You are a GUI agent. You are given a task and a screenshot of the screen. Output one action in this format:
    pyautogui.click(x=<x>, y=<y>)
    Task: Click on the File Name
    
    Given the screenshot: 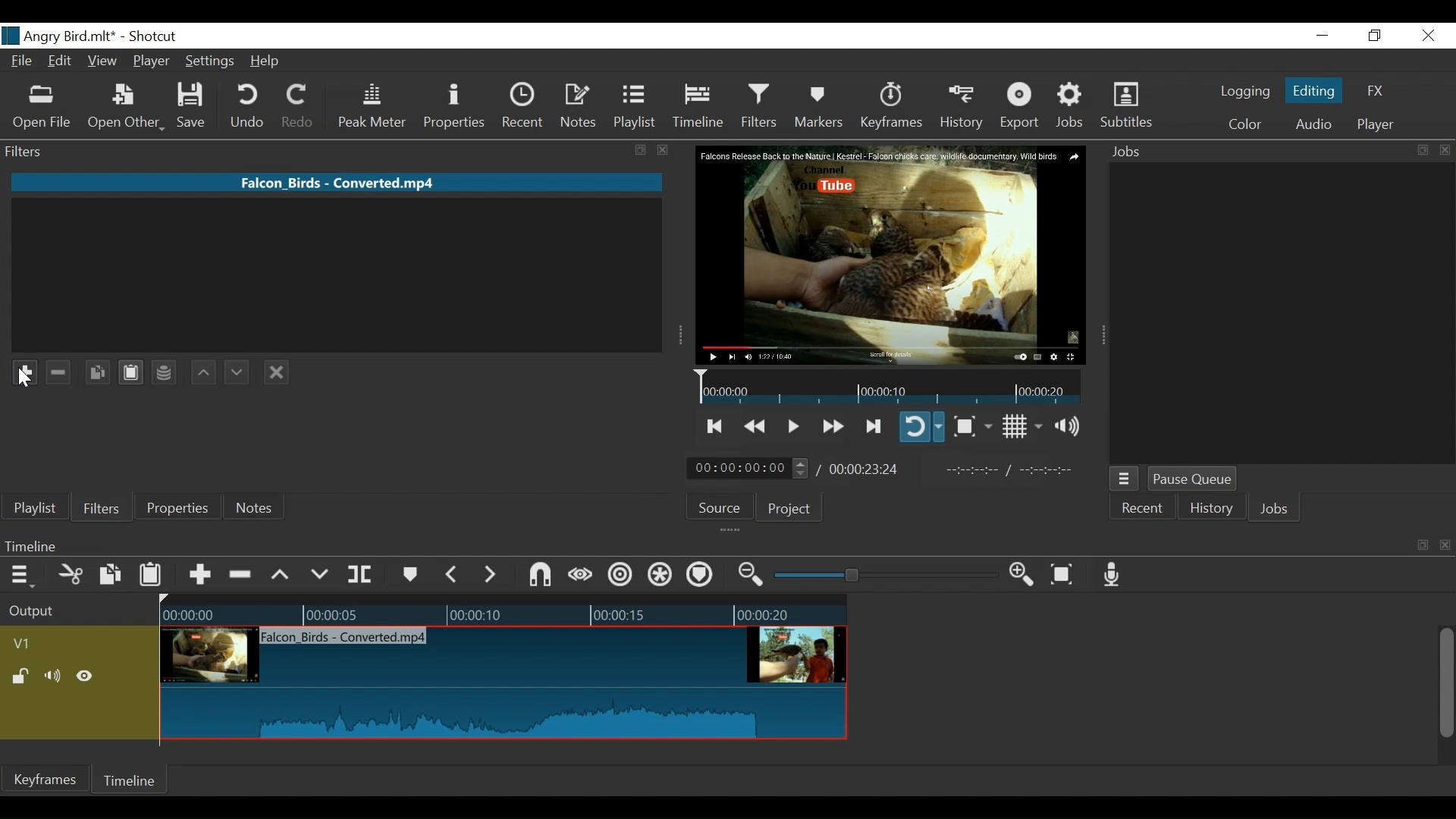 What is the action you would take?
    pyautogui.click(x=24, y=63)
    